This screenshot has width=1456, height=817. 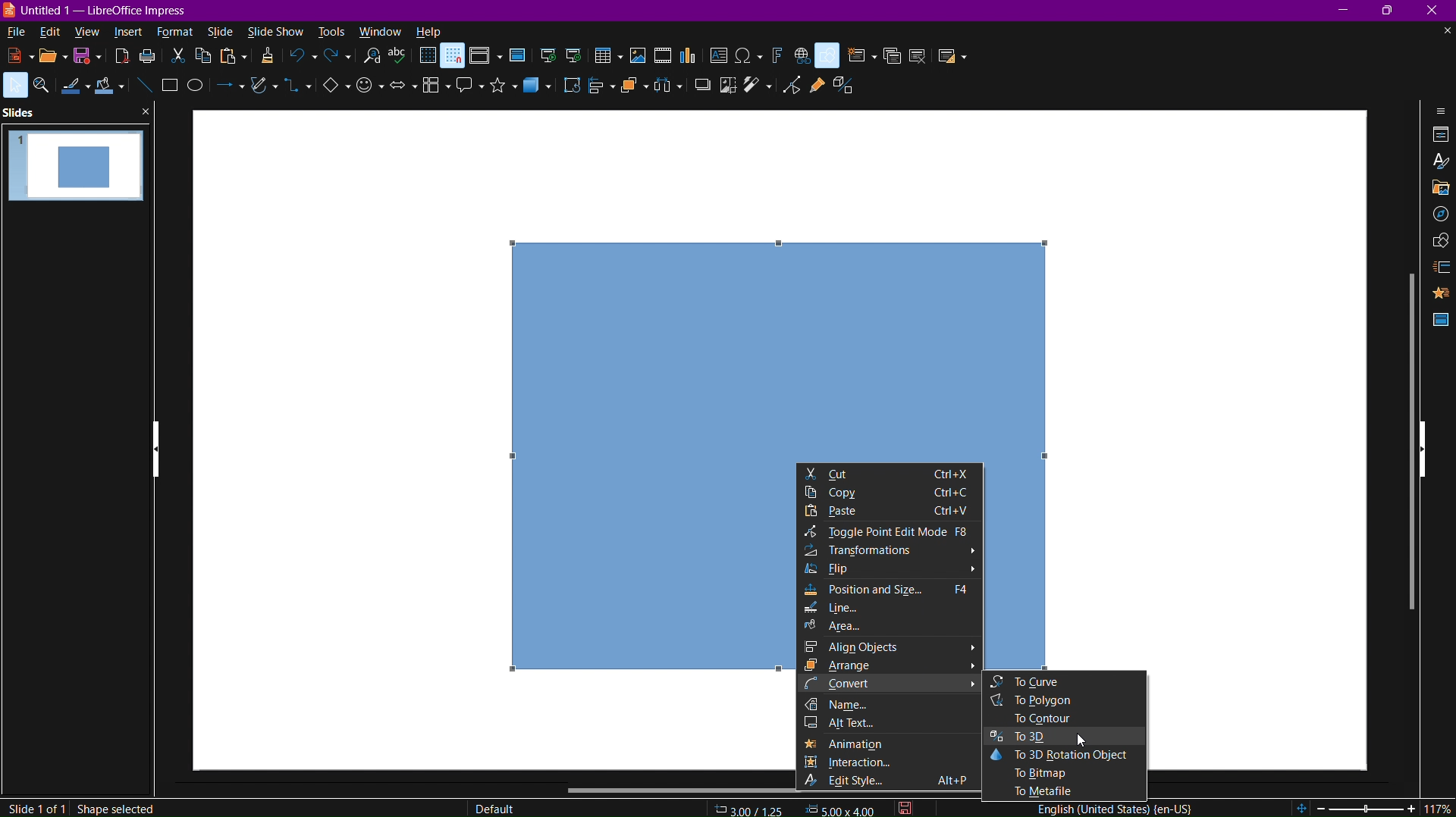 What do you see at coordinates (598, 91) in the screenshot?
I see `Align Objects` at bounding box center [598, 91].